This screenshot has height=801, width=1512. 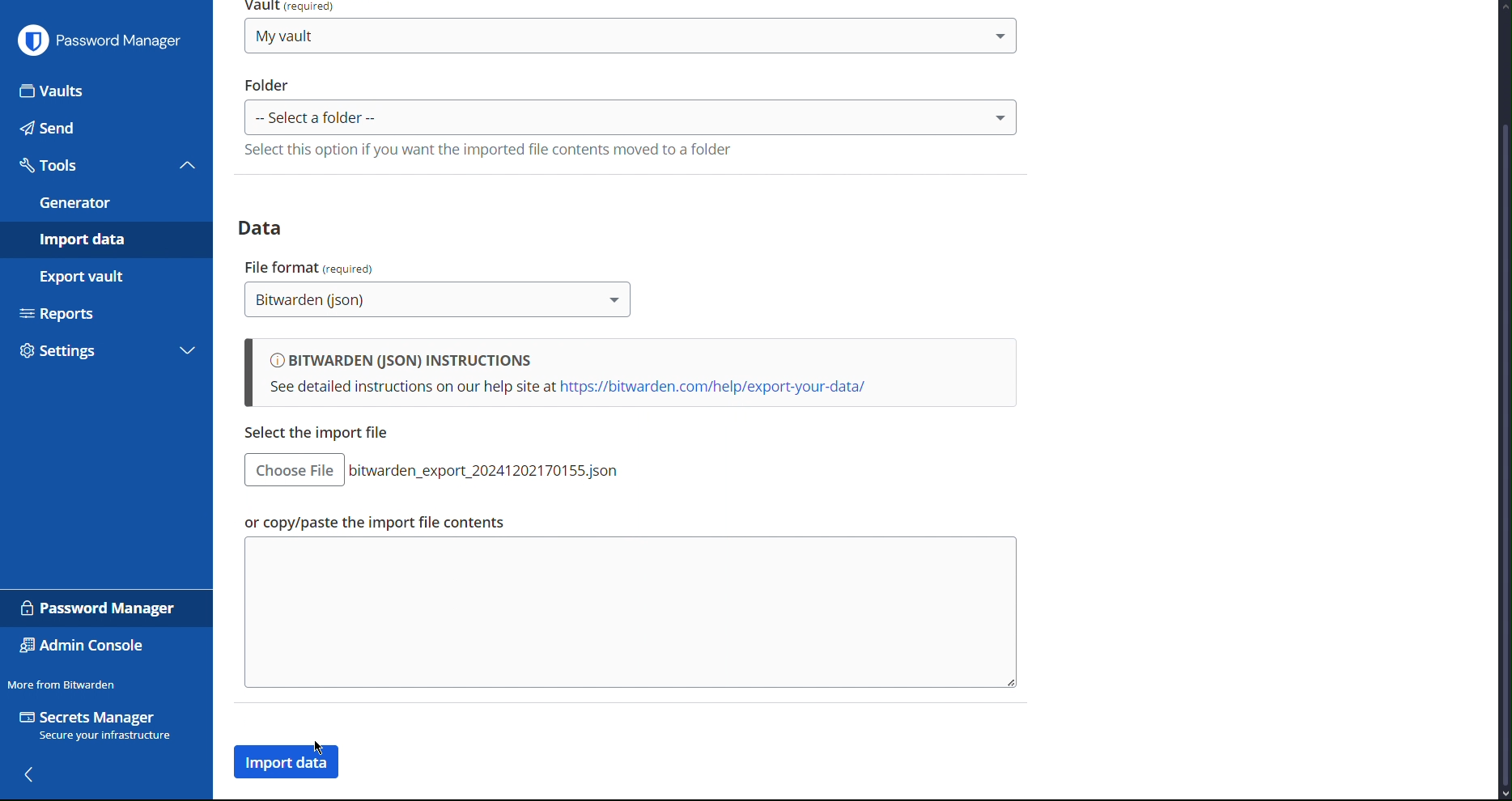 What do you see at coordinates (491, 470) in the screenshot?
I see `file chosen` at bounding box center [491, 470].